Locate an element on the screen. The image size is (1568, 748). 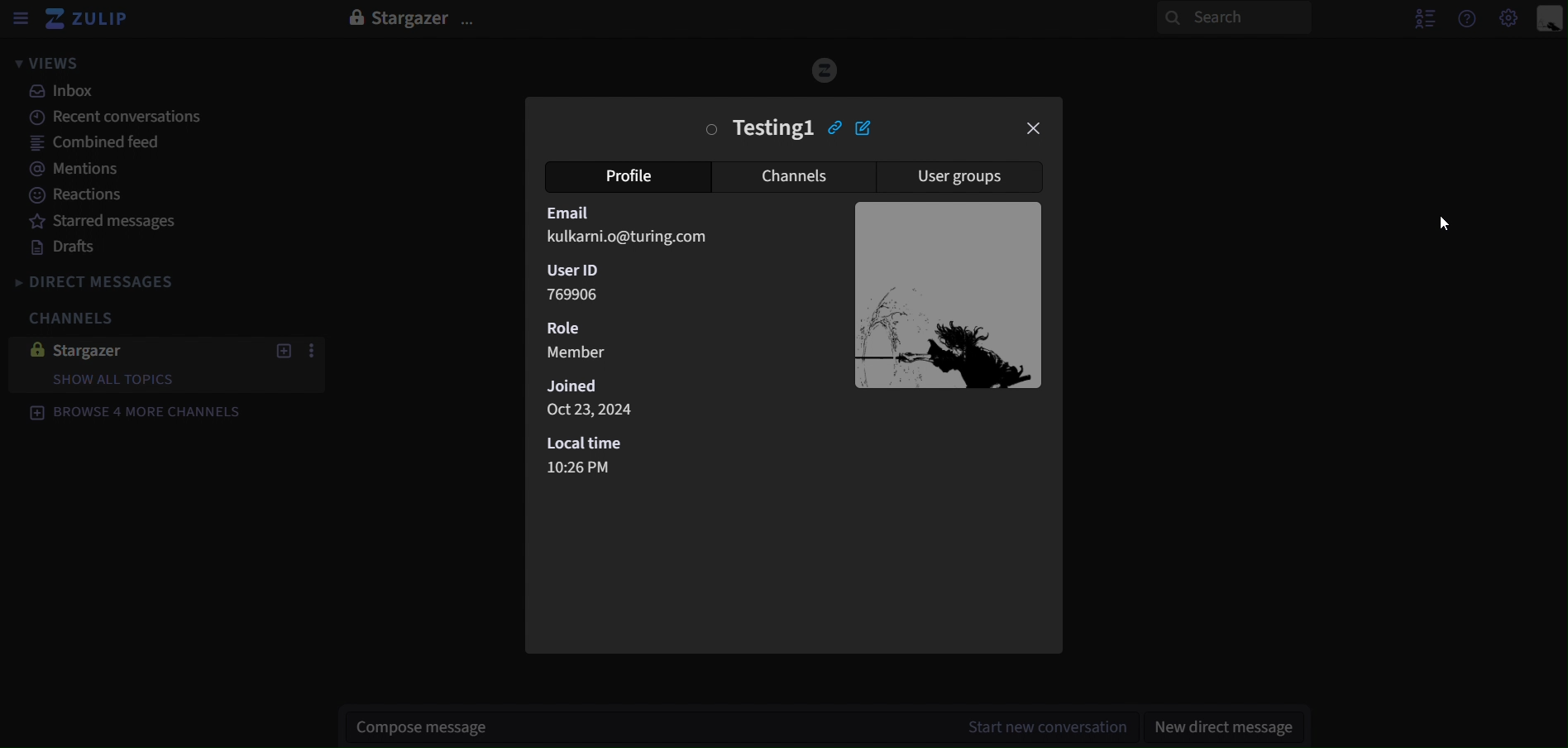
more actions is located at coordinates (313, 352).